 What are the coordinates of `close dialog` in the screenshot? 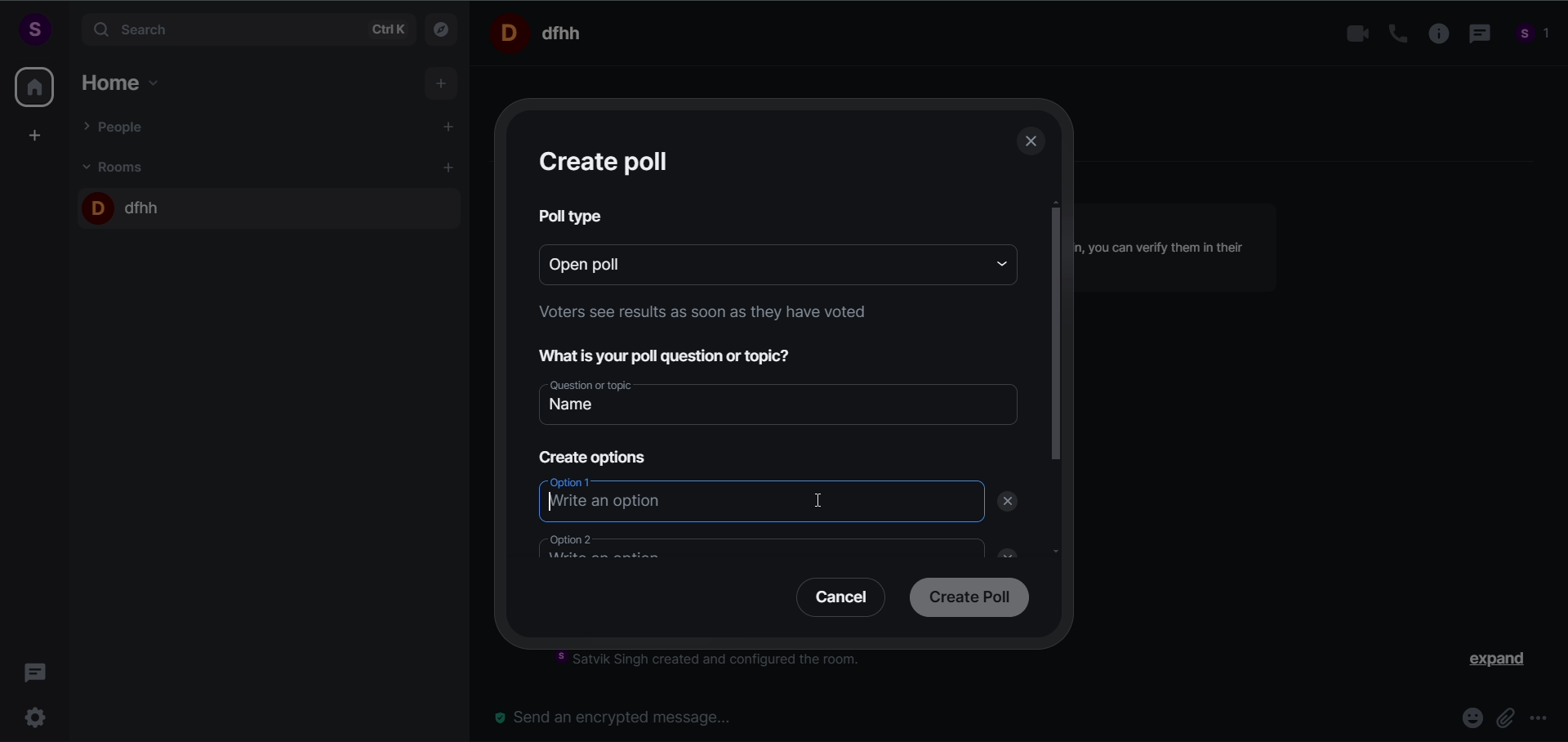 It's located at (1032, 144).